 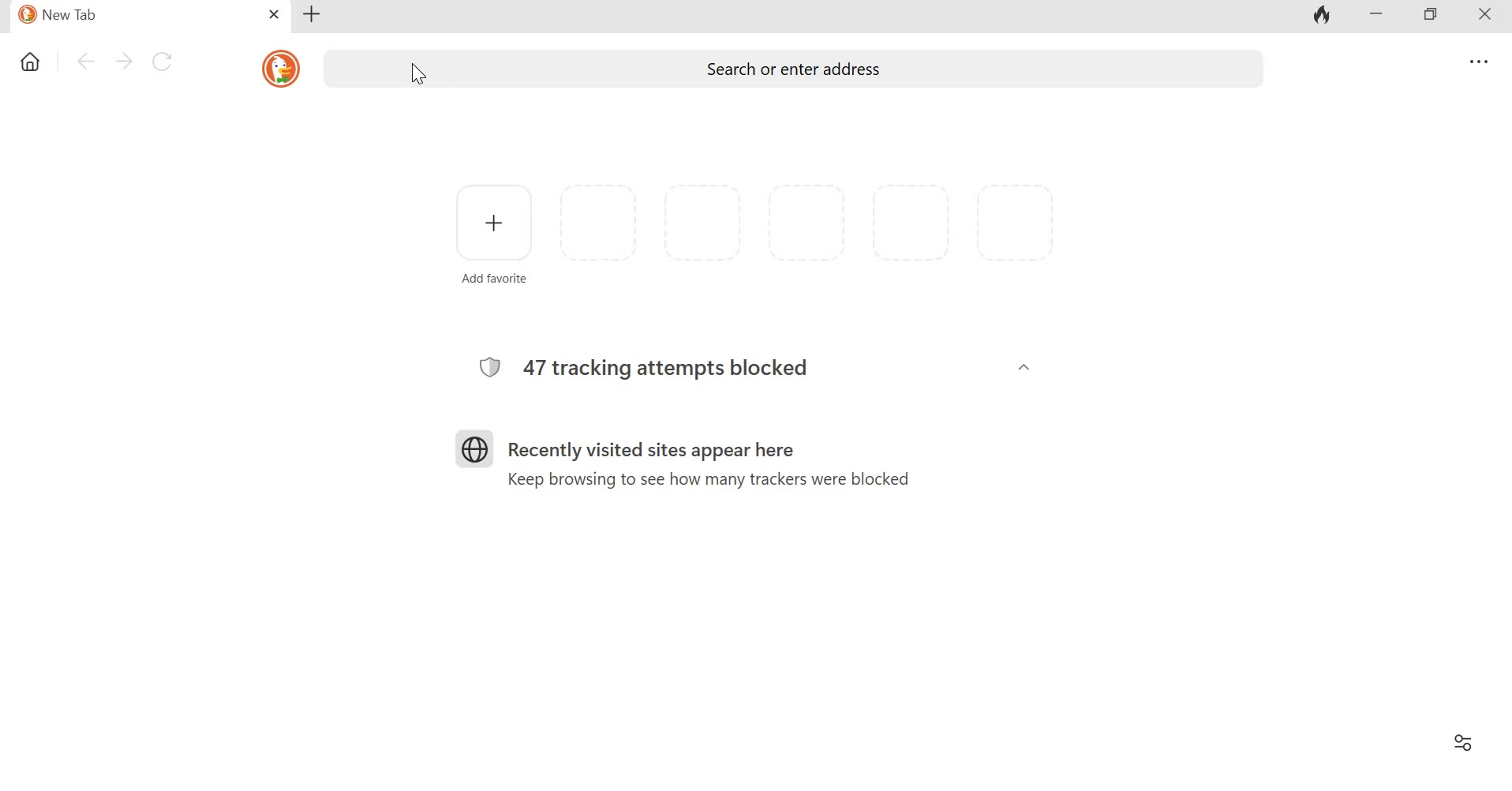 I want to click on Home, so click(x=31, y=62).